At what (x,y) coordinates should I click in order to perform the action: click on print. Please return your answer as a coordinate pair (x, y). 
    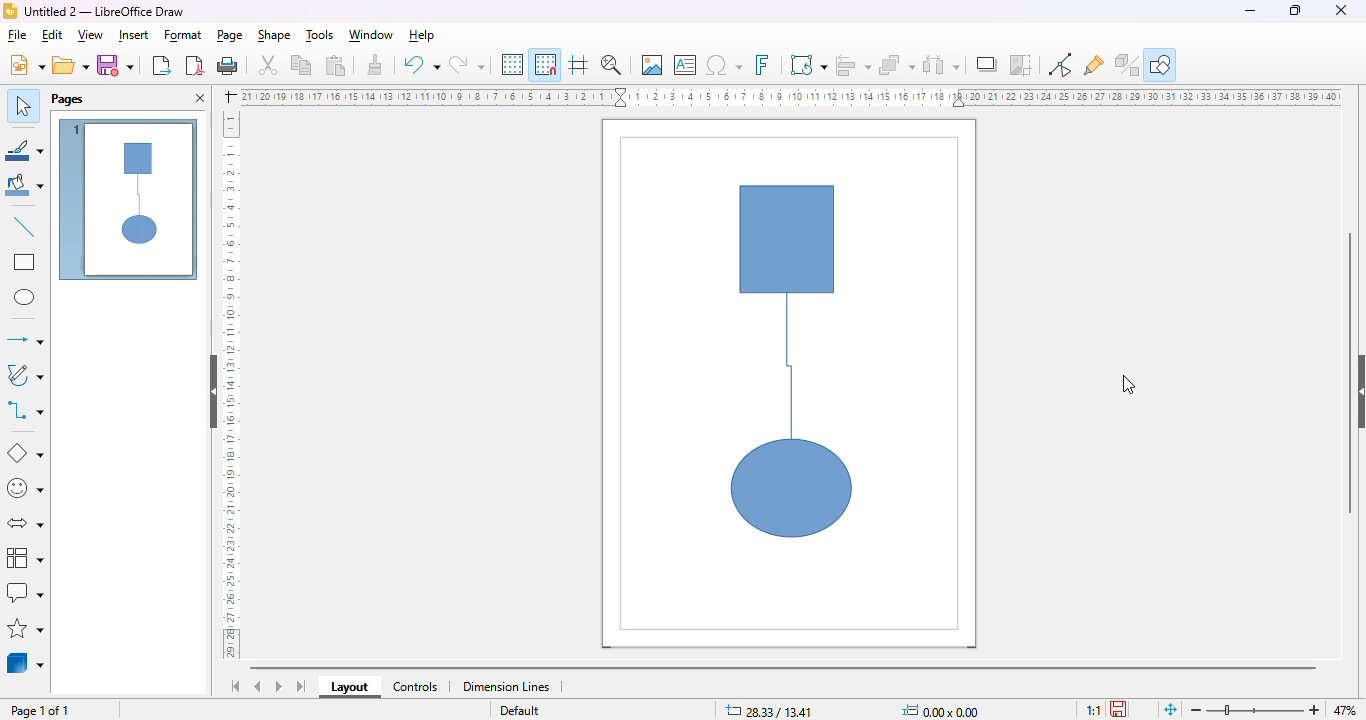
    Looking at the image, I should click on (227, 65).